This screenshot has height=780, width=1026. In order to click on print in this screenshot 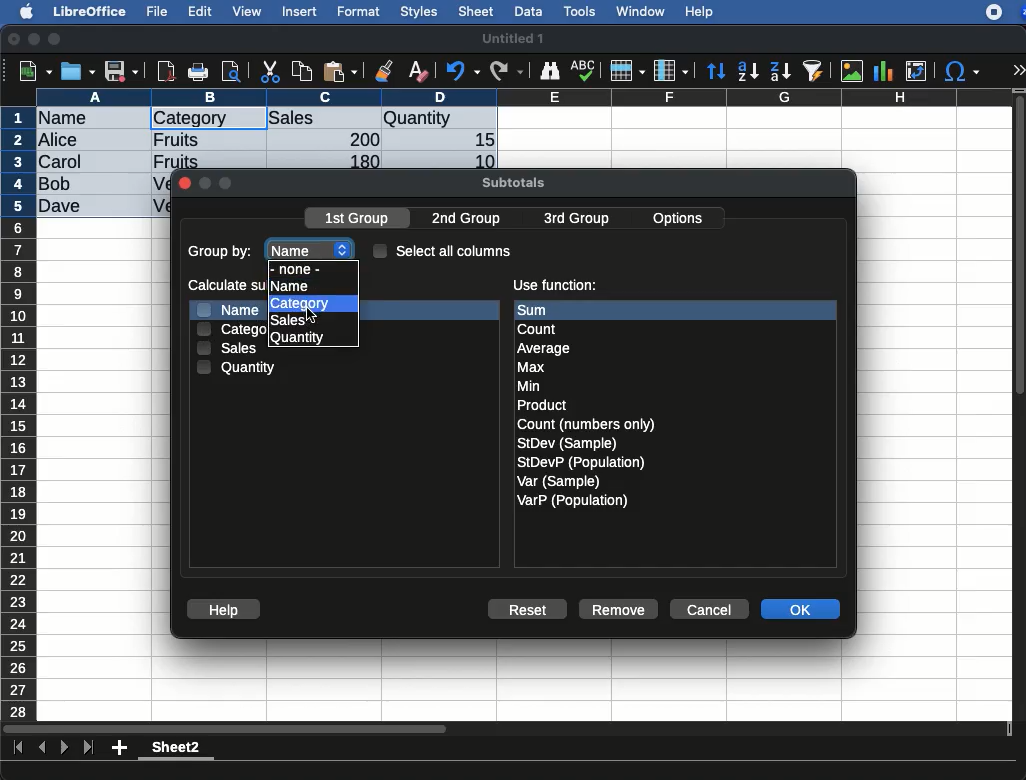, I will do `click(198, 72)`.